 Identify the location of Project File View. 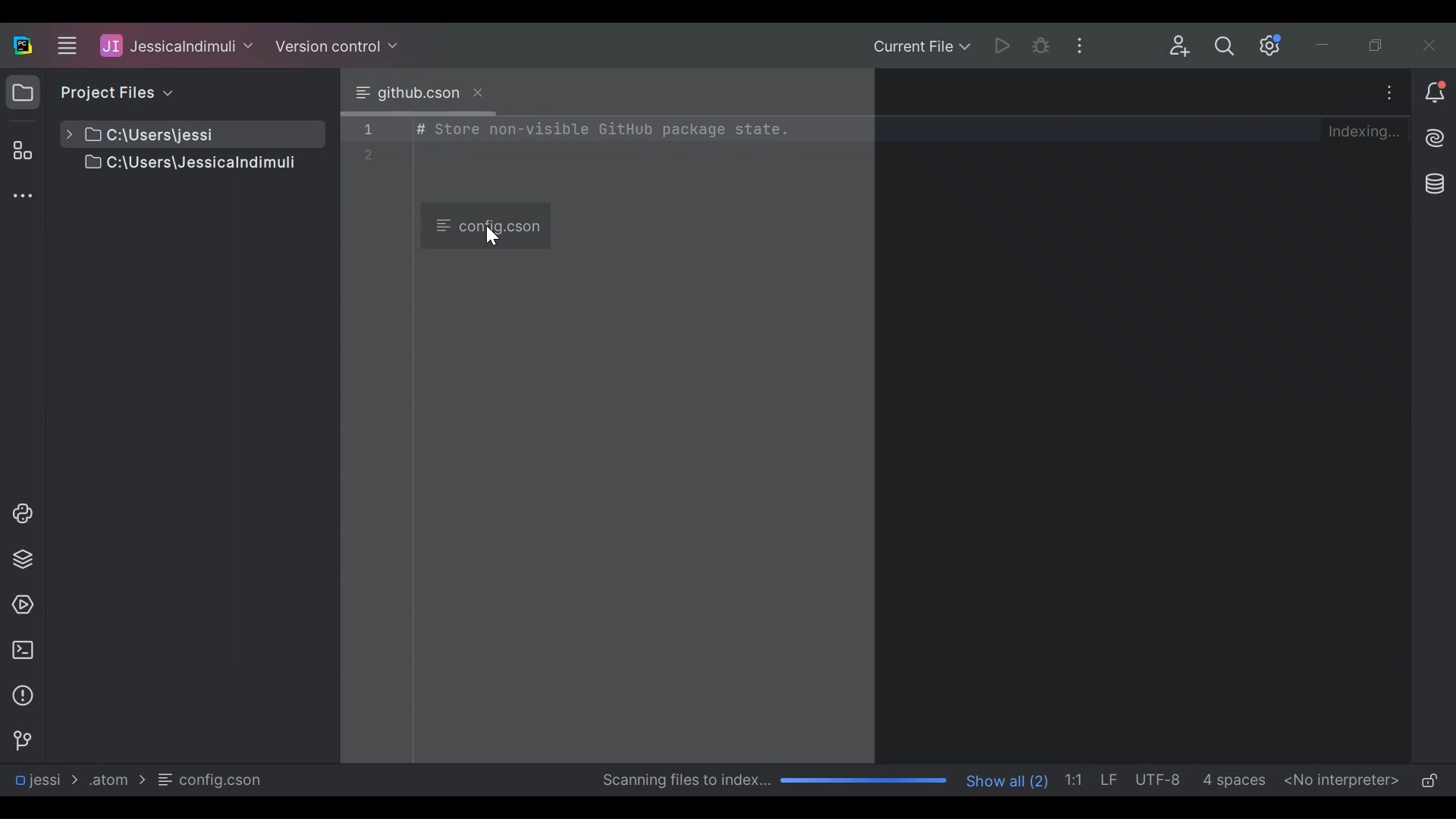
(113, 92).